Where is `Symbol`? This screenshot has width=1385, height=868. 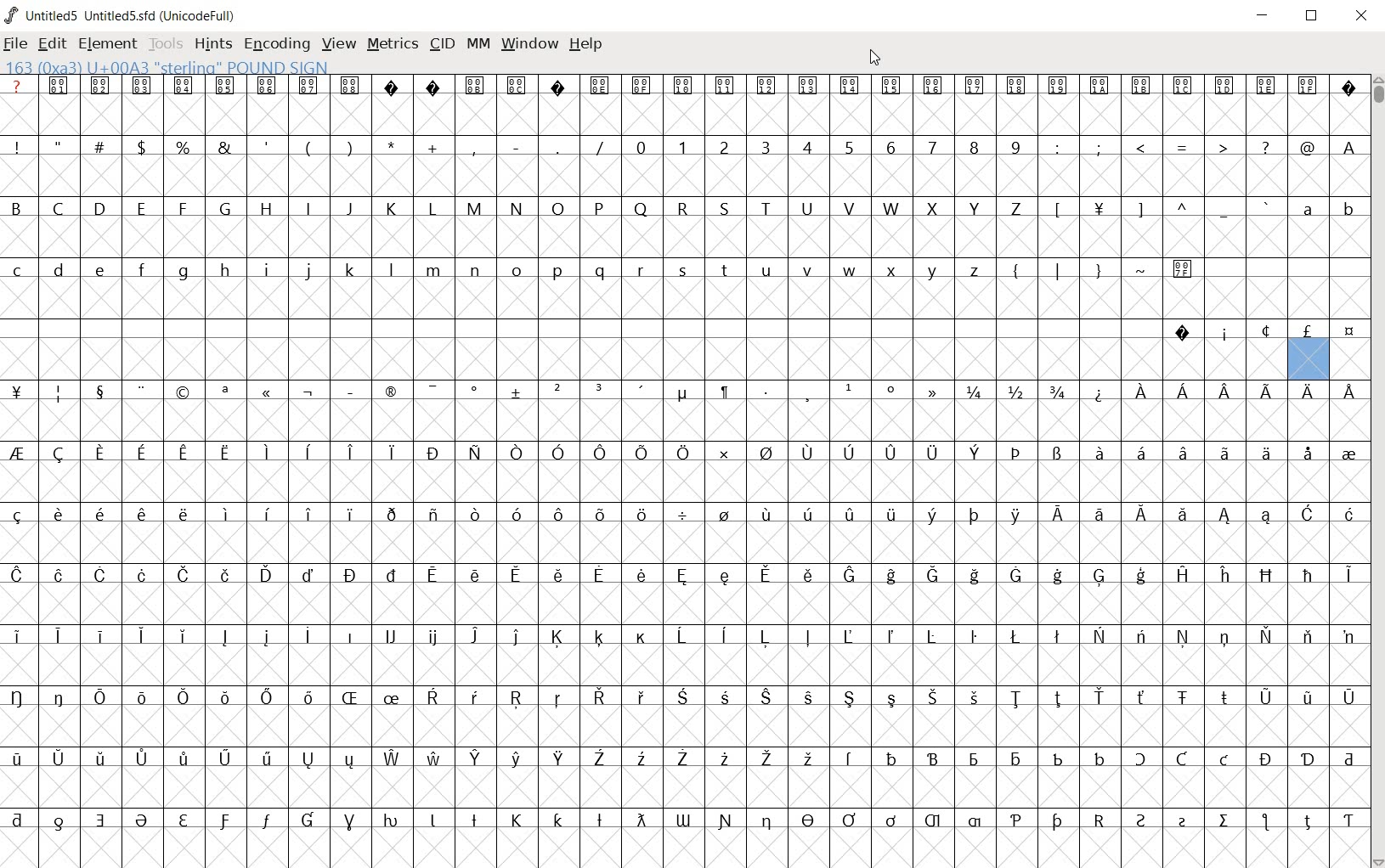
Symbol is located at coordinates (723, 699).